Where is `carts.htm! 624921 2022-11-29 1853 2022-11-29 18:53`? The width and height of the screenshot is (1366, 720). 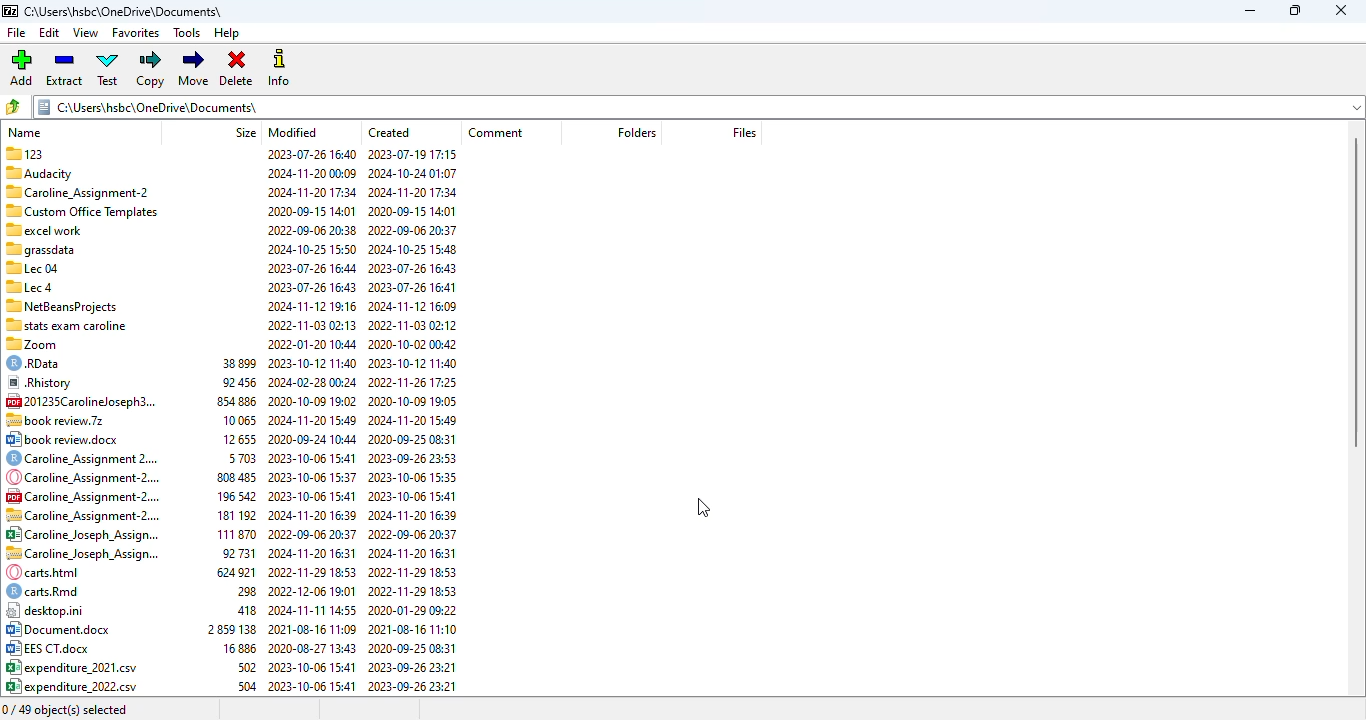 carts.htm! 624921 2022-11-29 1853 2022-11-29 18:53 is located at coordinates (230, 553).